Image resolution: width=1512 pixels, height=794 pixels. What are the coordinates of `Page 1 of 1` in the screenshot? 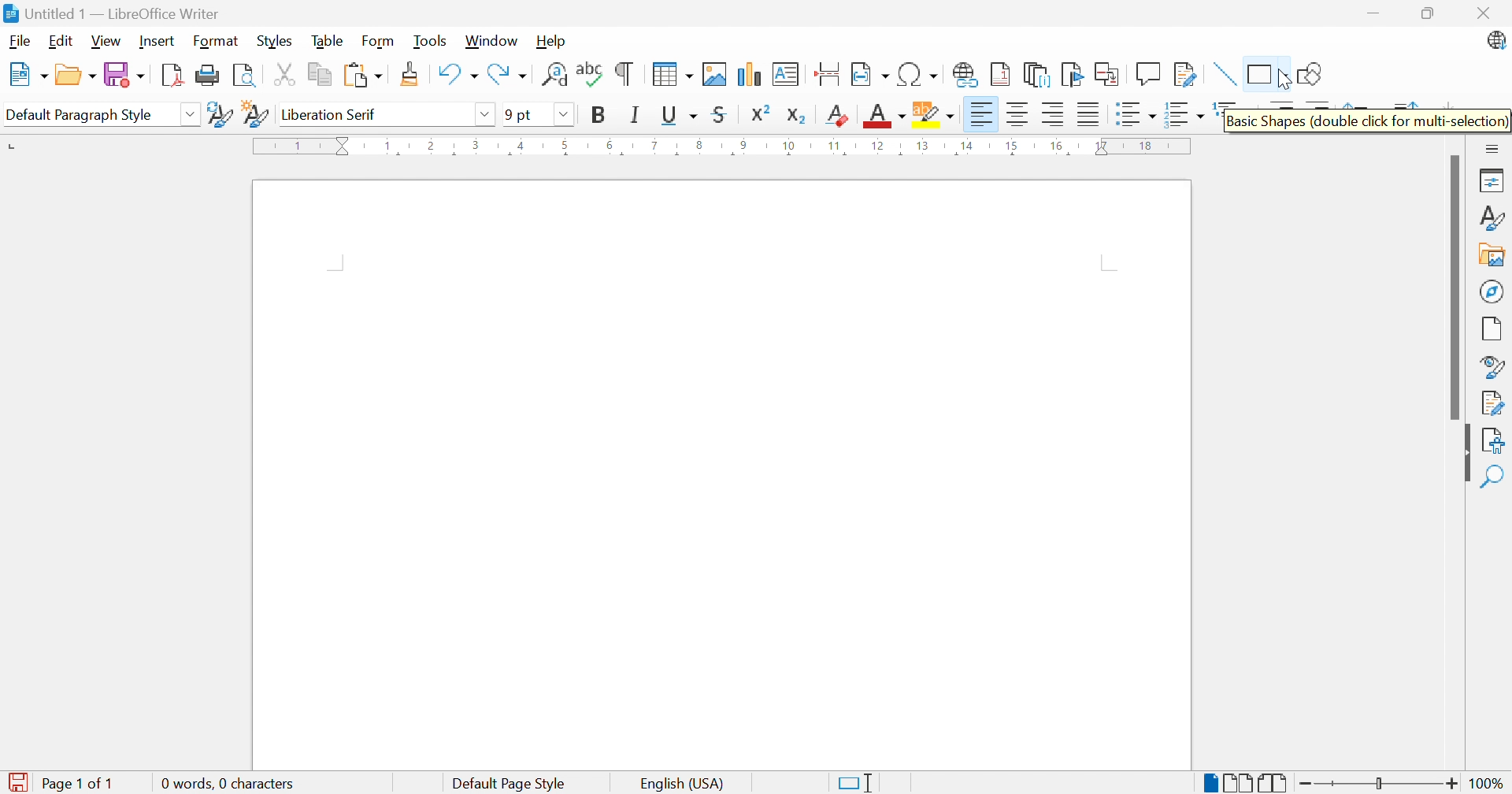 It's located at (84, 783).